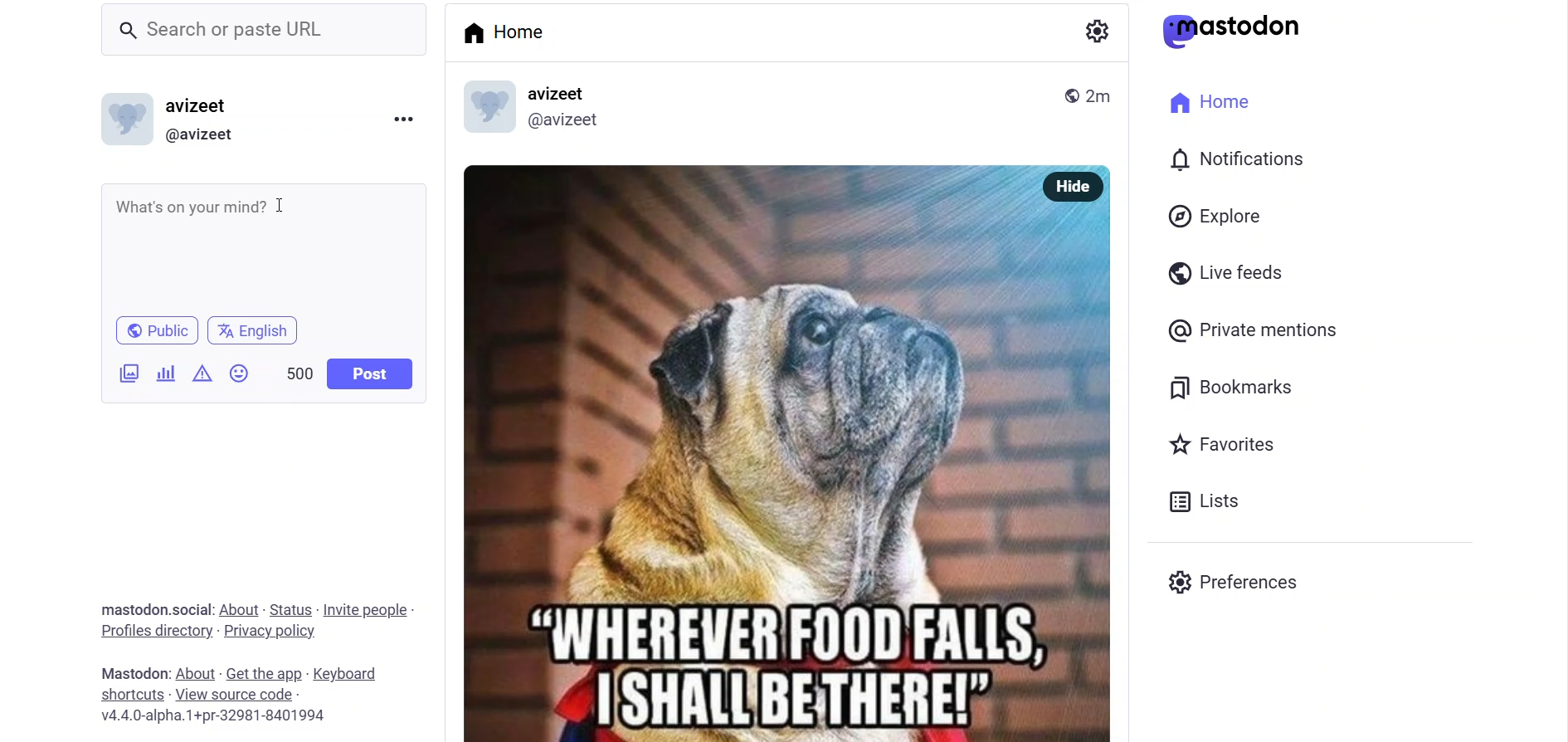 This screenshot has height=742, width=1568. I want to click on display picture, so click(494, 104).